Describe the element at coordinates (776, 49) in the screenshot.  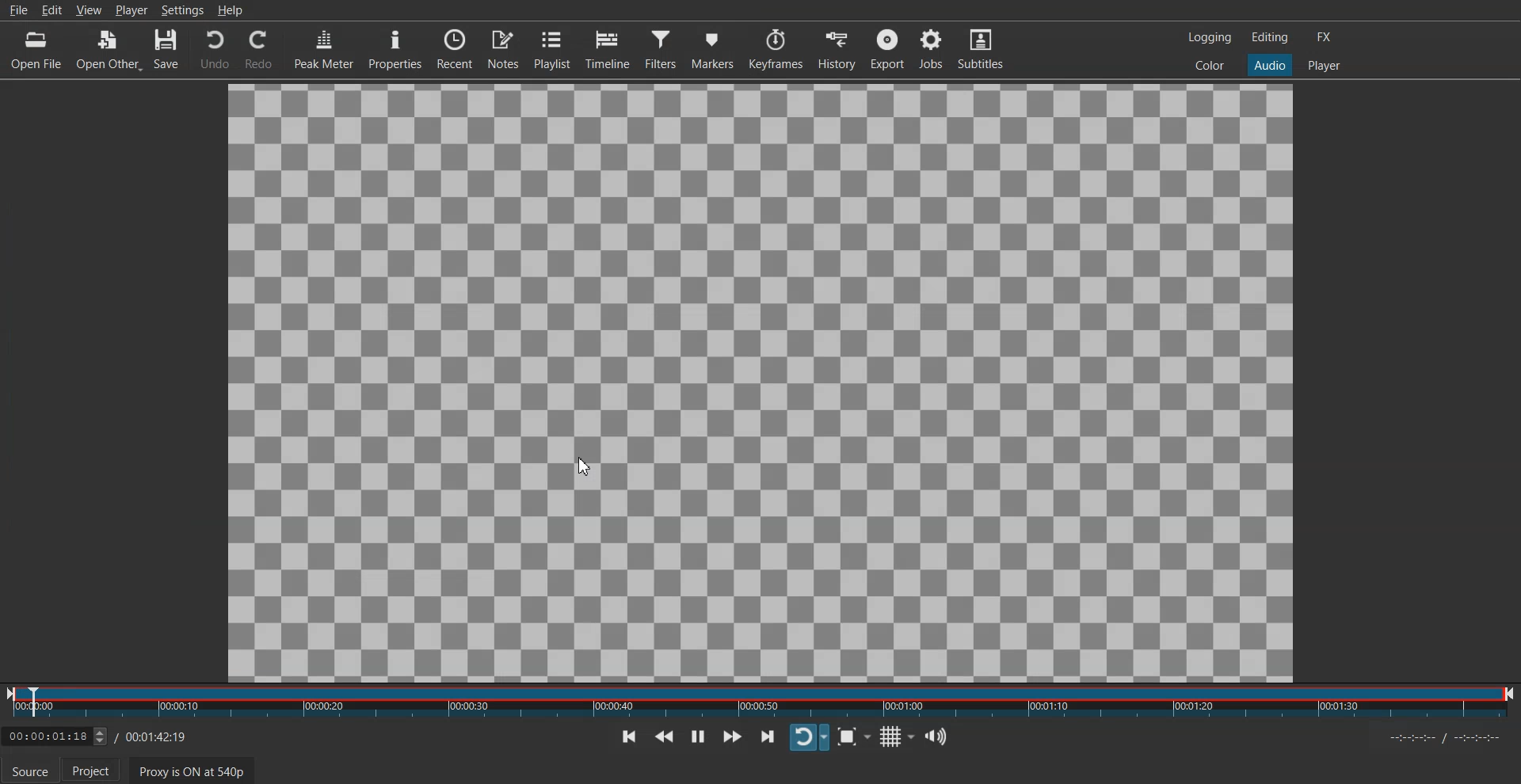
I see `Keyframe` at that location.